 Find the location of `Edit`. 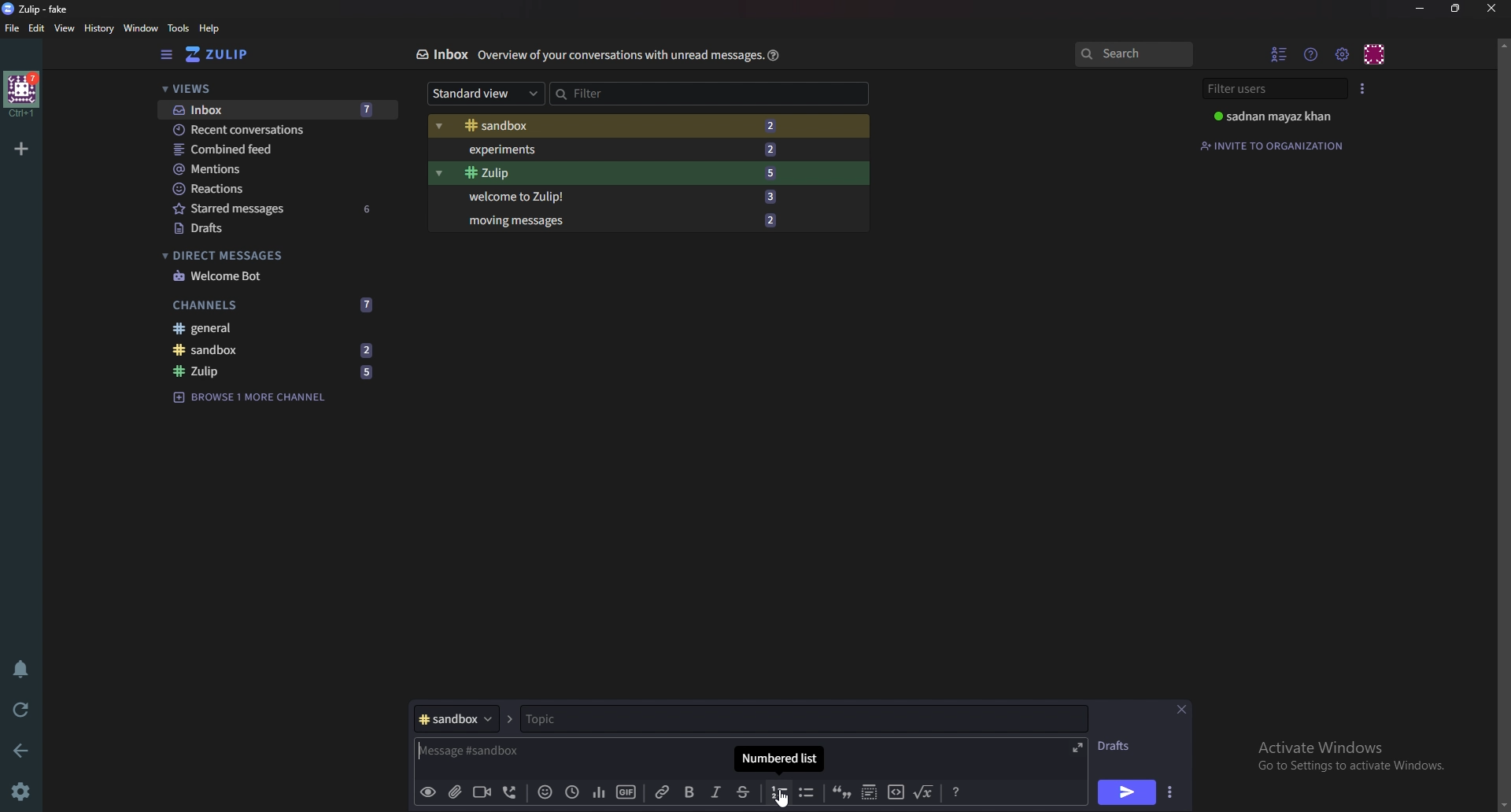

Edit is located at coordinates (38, 28).